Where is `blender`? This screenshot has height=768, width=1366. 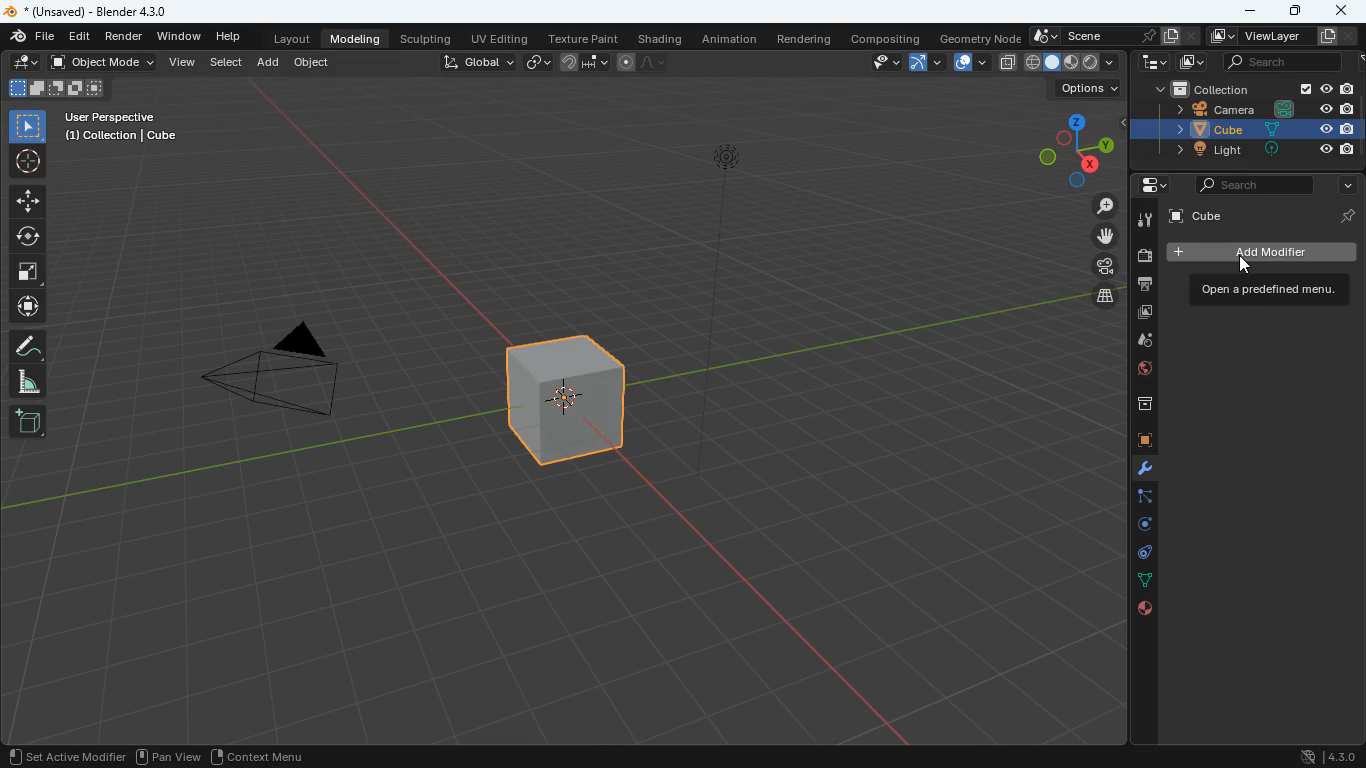 blender is located at coordinates (32, 36).